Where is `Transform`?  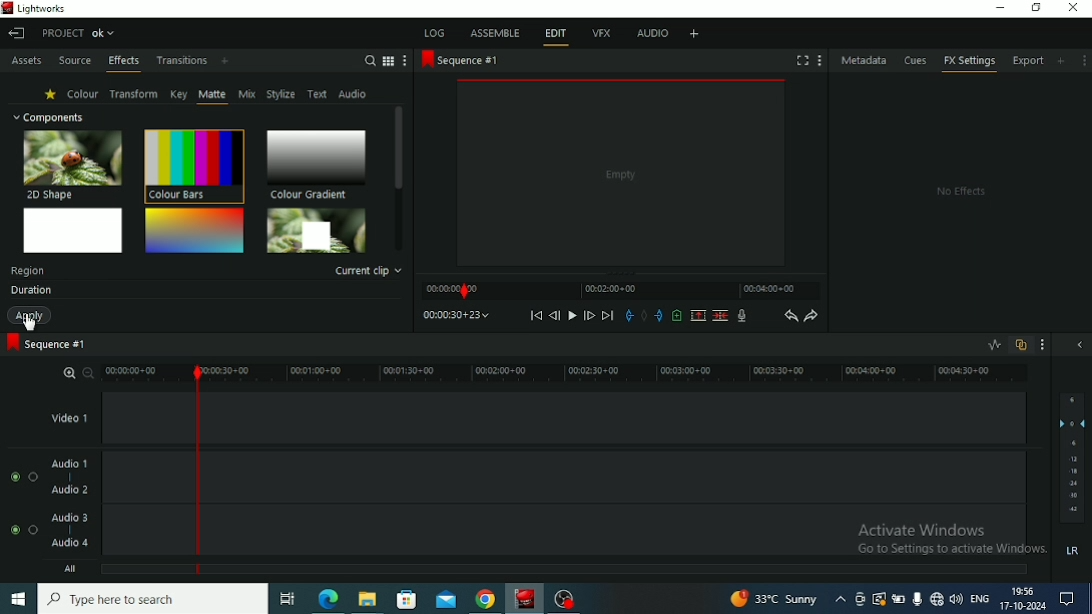 Transform is located at coordinates (134, 94).